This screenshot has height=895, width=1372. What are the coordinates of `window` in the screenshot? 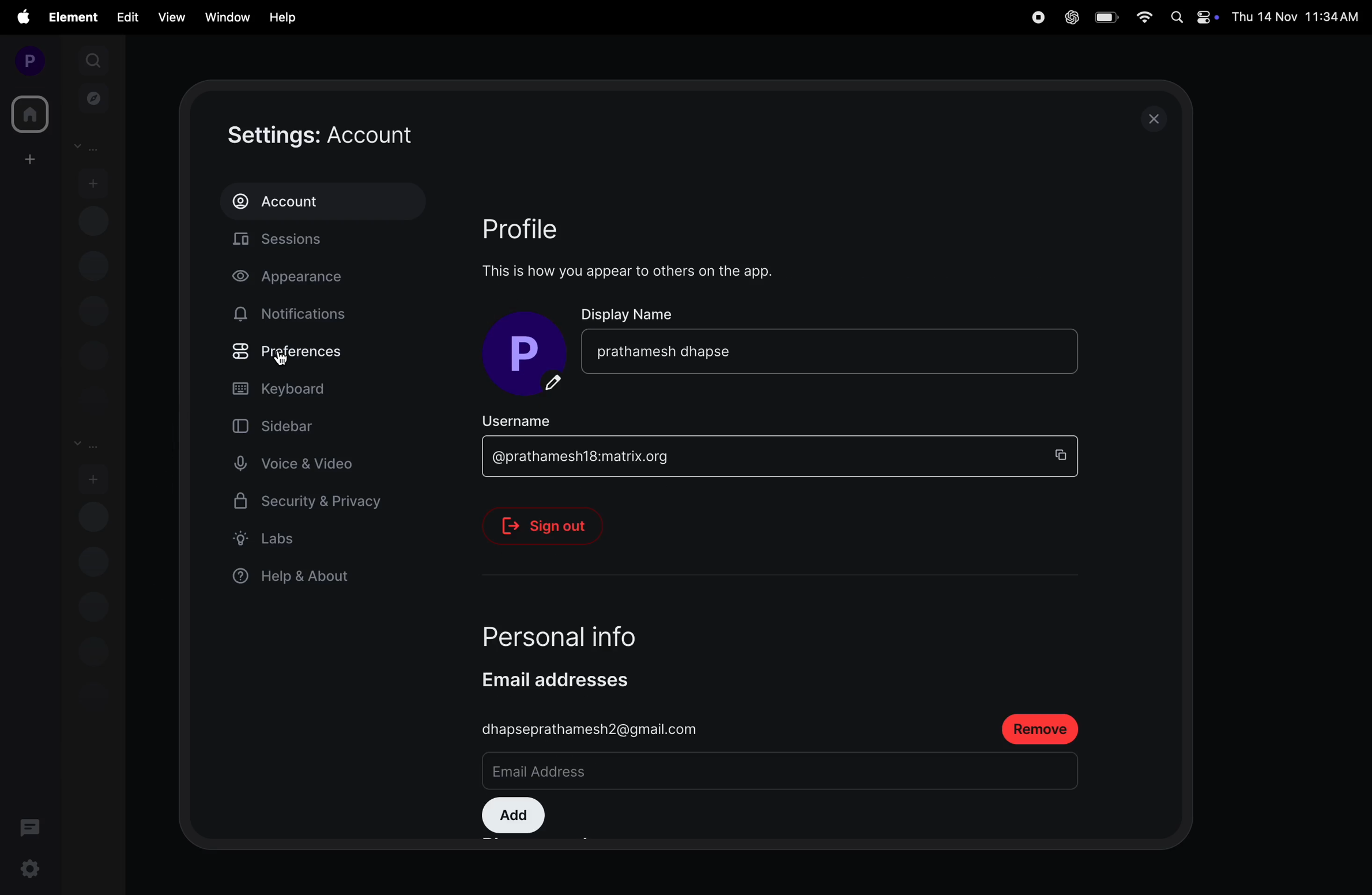 It's located at (223, 18).